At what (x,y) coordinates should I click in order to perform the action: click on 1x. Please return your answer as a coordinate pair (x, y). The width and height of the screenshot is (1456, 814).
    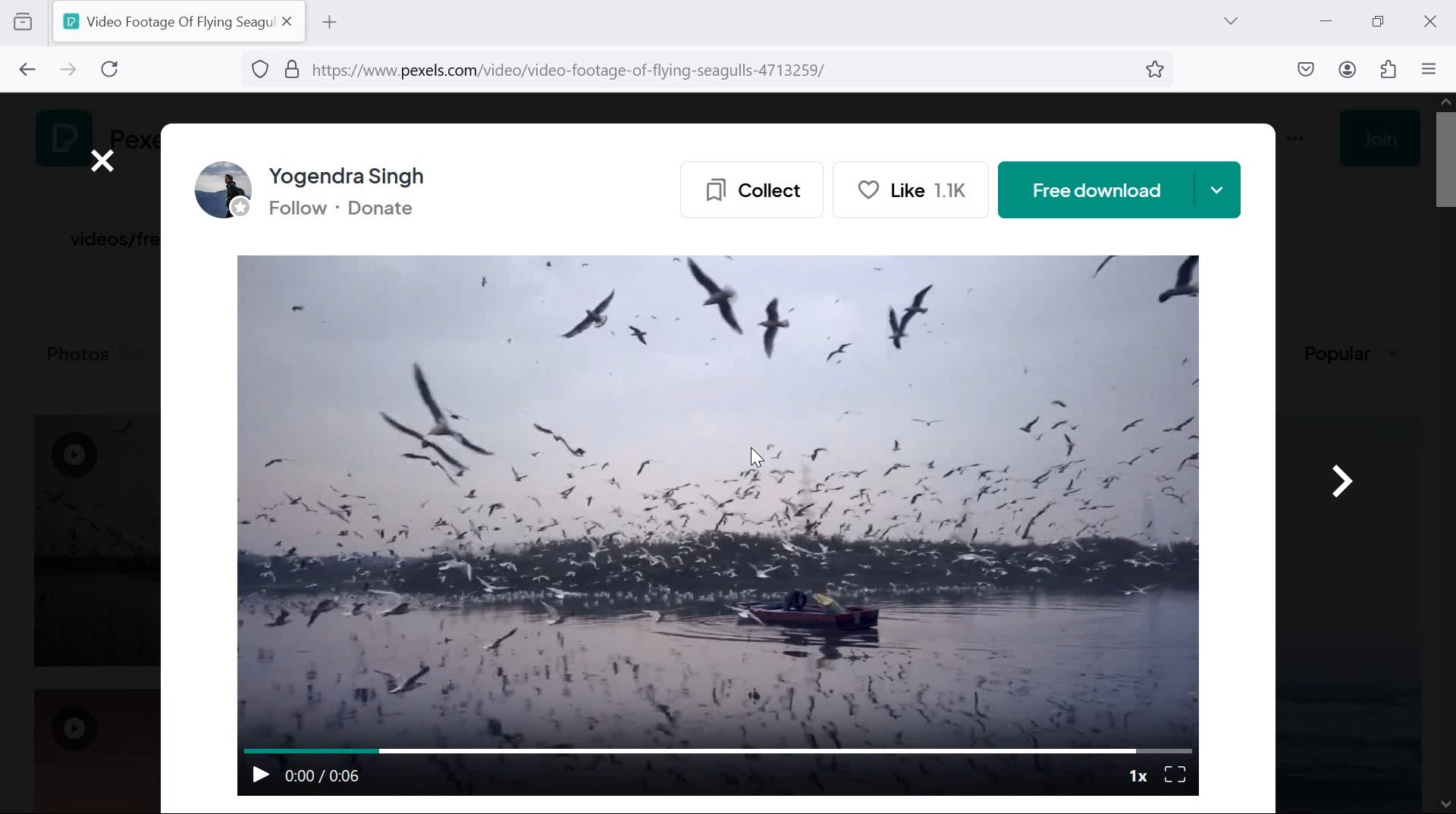
    Looking at the image, I should click on (1137, 774).